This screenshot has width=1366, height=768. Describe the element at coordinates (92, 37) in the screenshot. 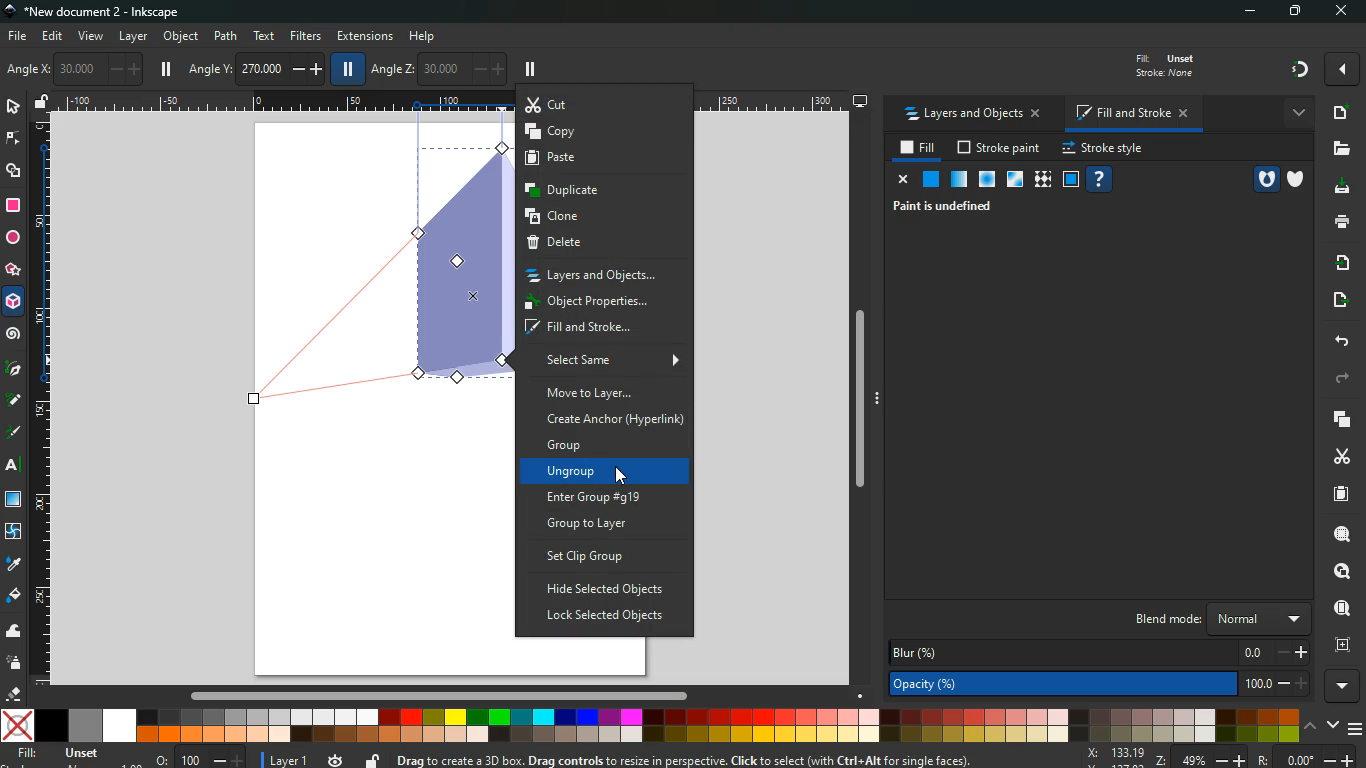

I see `view` at that location.